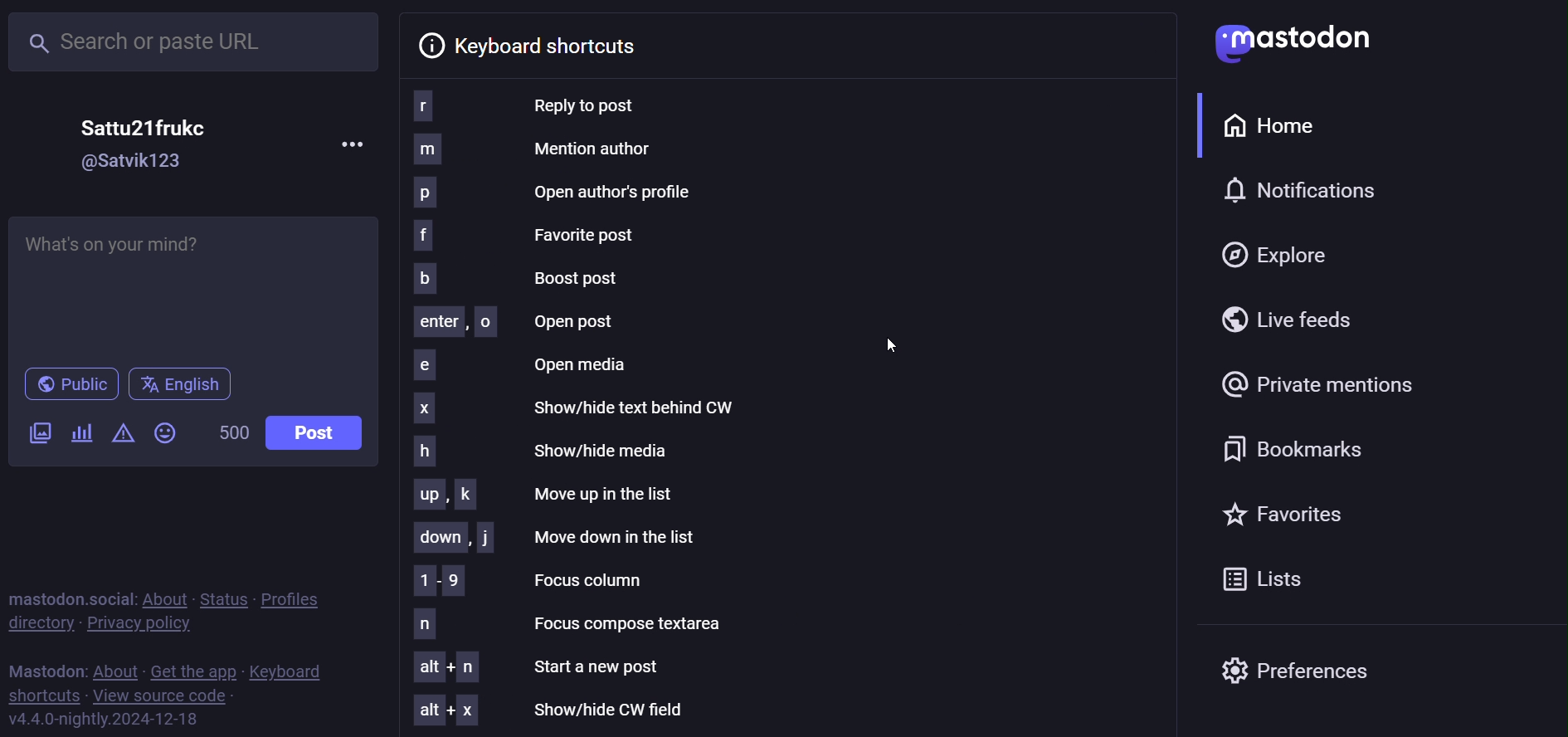  I want to click on move up in the list, so click(548, 492).